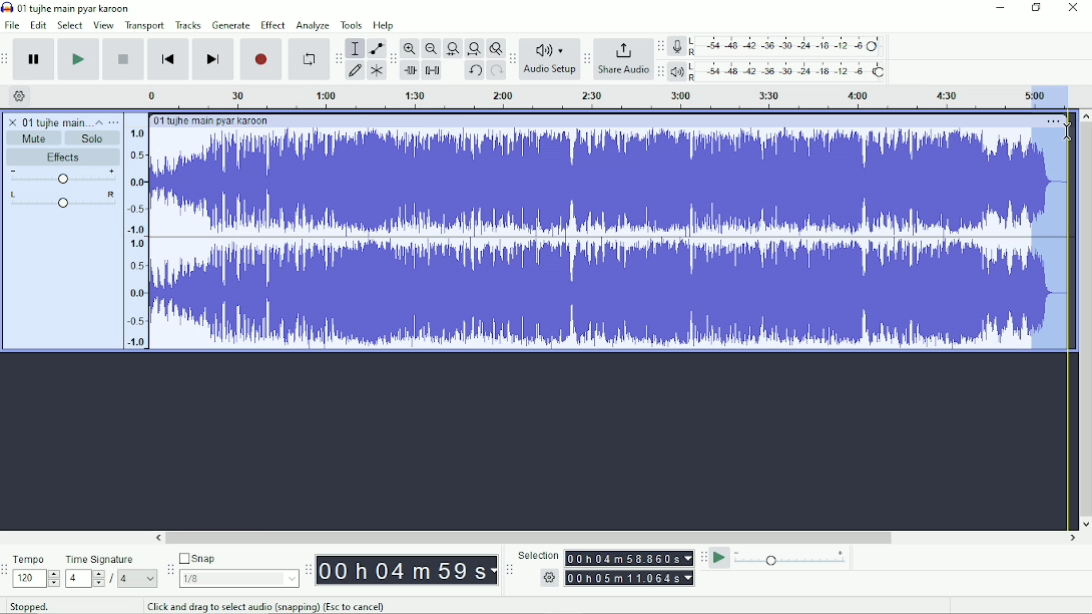  I want to click on Audacity playback meter toolbar, so click(662, 71).